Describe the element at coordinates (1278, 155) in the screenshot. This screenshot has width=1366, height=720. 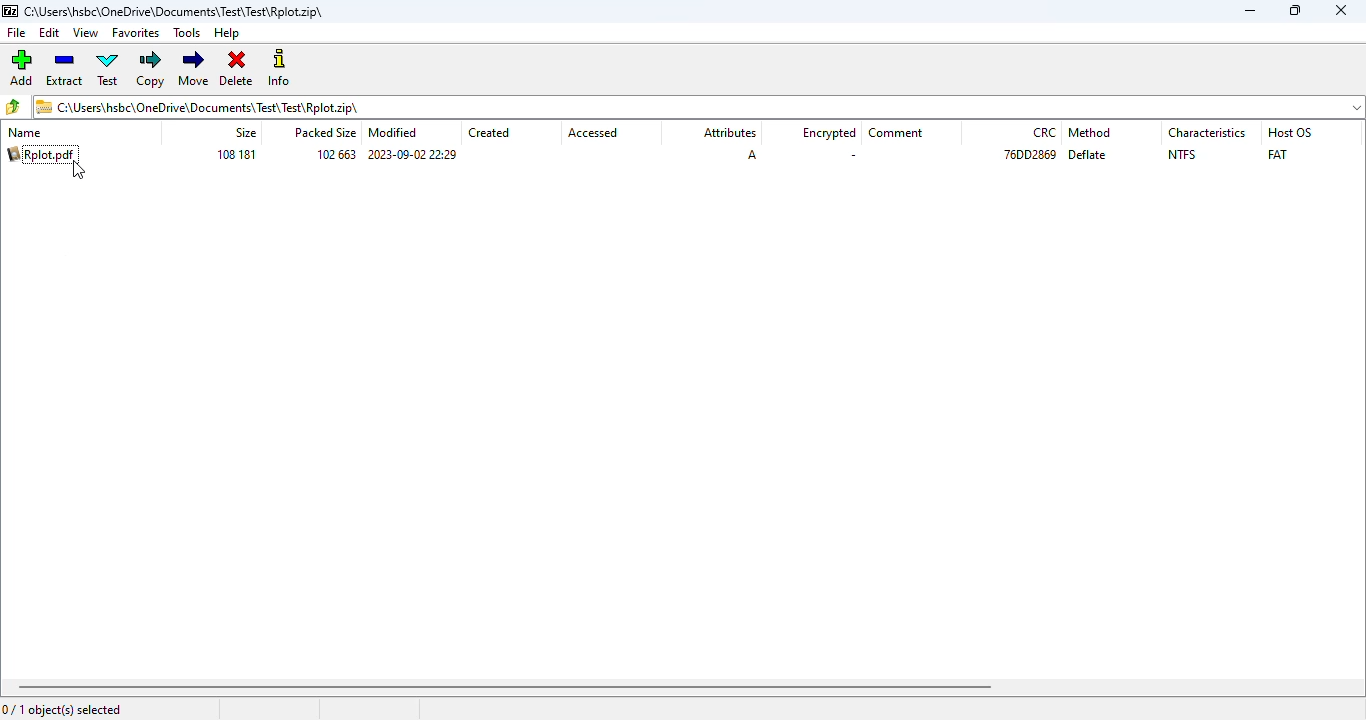
I see `FAT` at that location.